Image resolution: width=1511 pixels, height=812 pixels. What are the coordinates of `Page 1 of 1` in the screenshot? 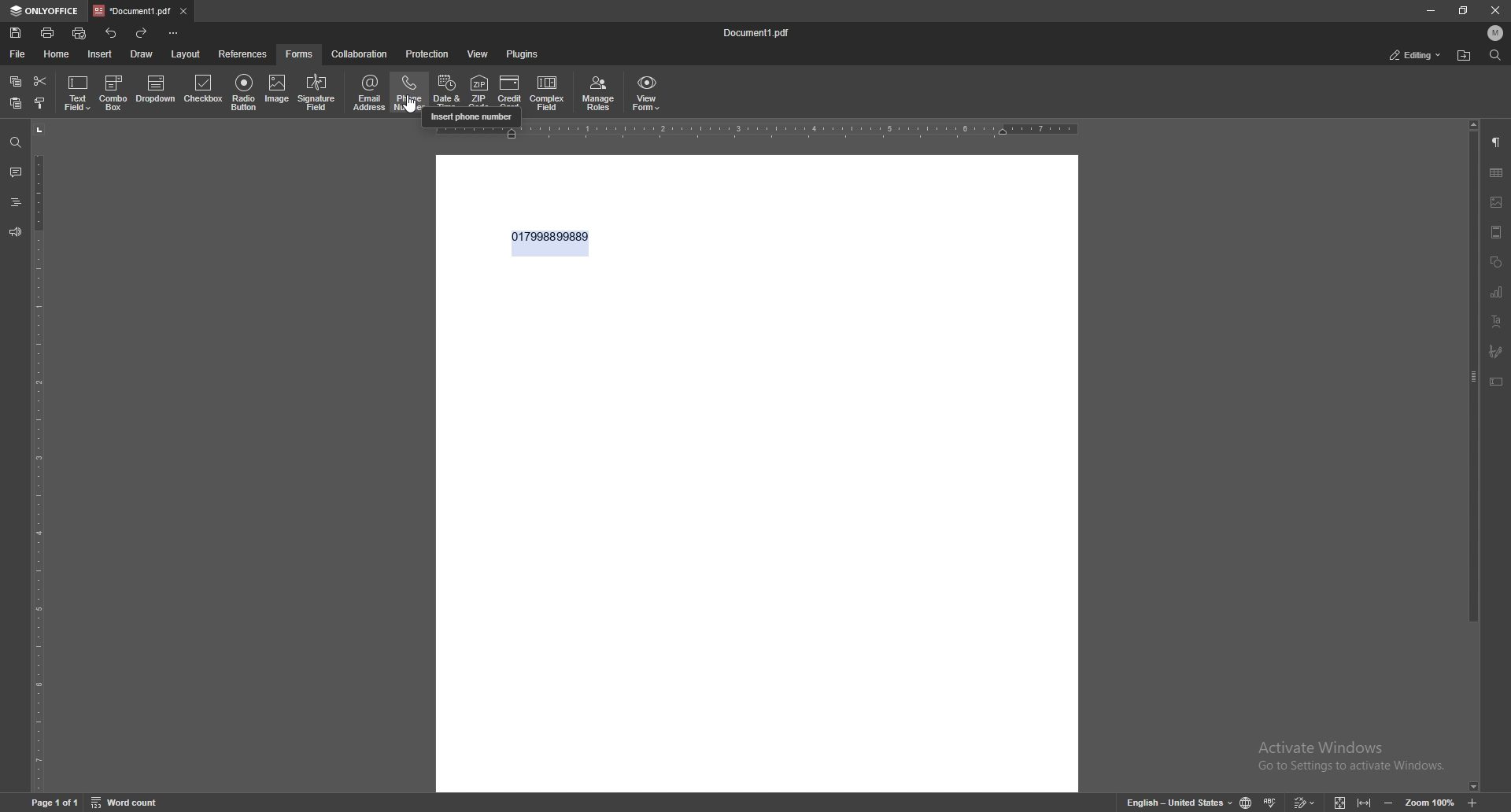 It's located at (56, 803).